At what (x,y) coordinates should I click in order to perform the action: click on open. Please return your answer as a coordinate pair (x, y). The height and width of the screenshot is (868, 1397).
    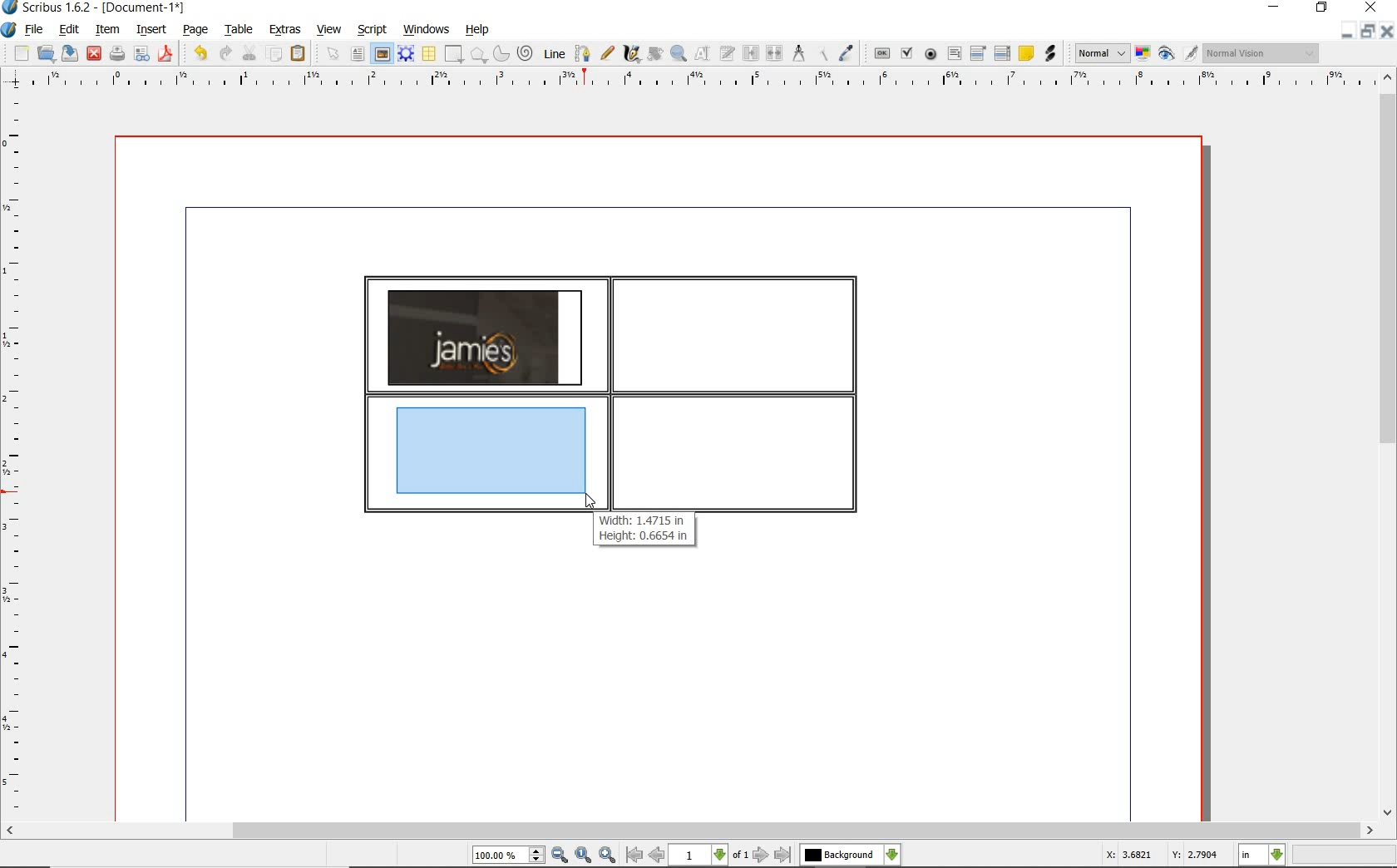
    Looking at the image, I should click on (47, 54).